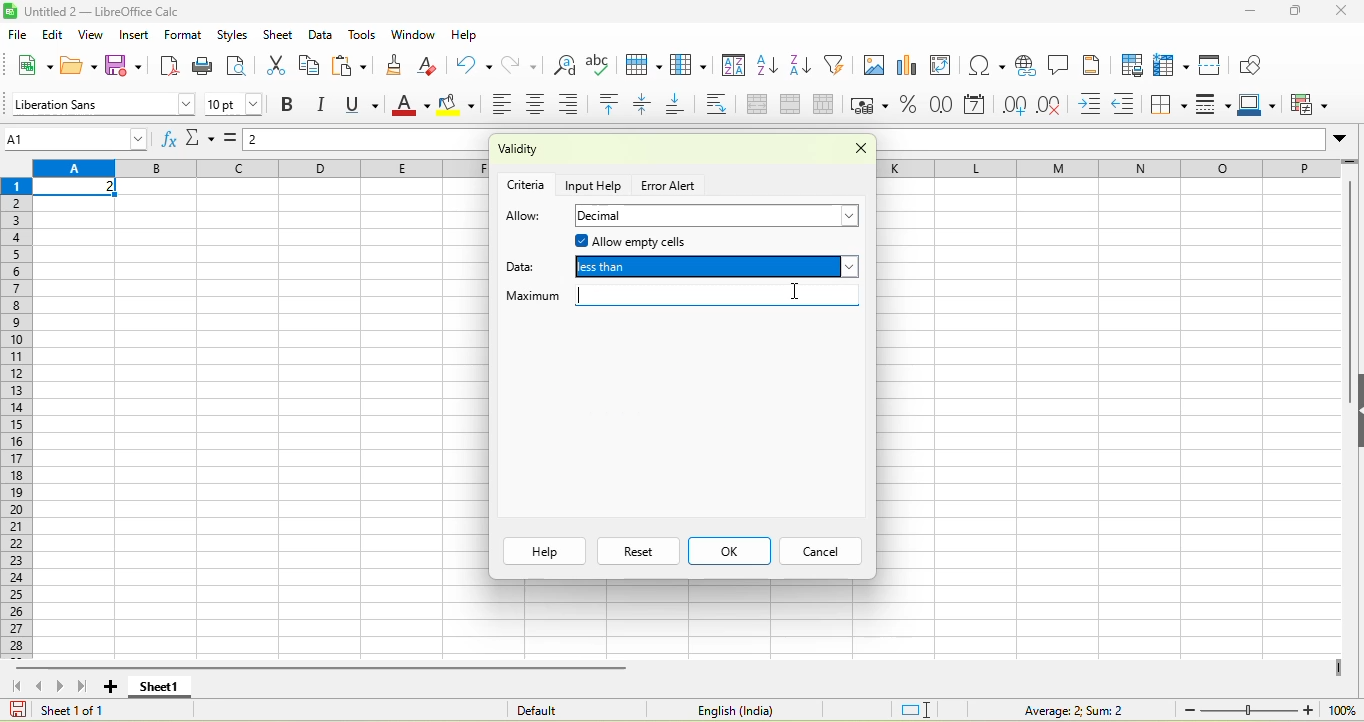 Image resolution: width=1364 pixels, height=722 pixels. Describe the element at coordinates (723, 105) in the screenshot. I see `wrap` at that location.